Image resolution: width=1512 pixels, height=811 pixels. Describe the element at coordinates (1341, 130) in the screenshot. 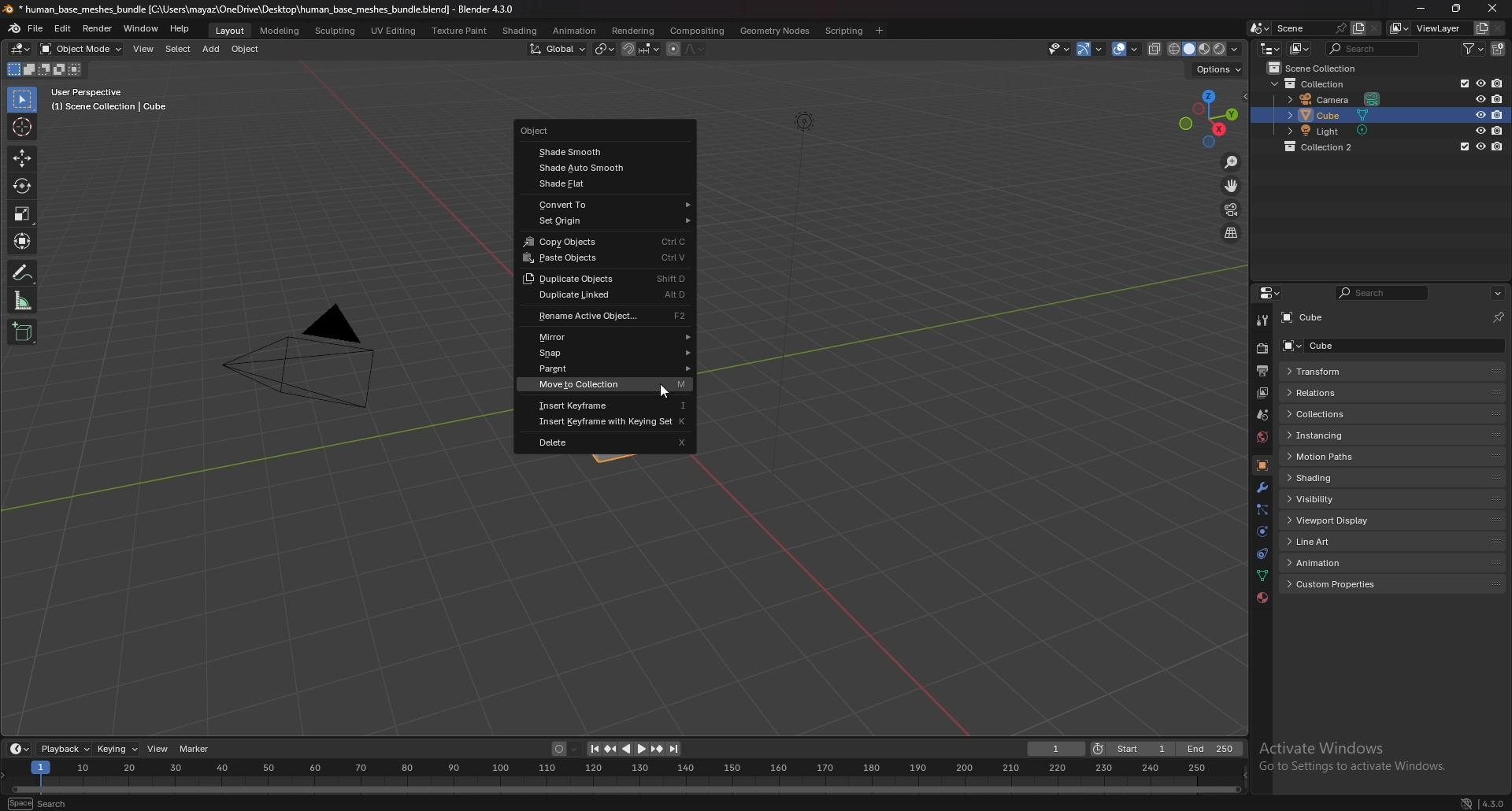

I see `light` at that location.